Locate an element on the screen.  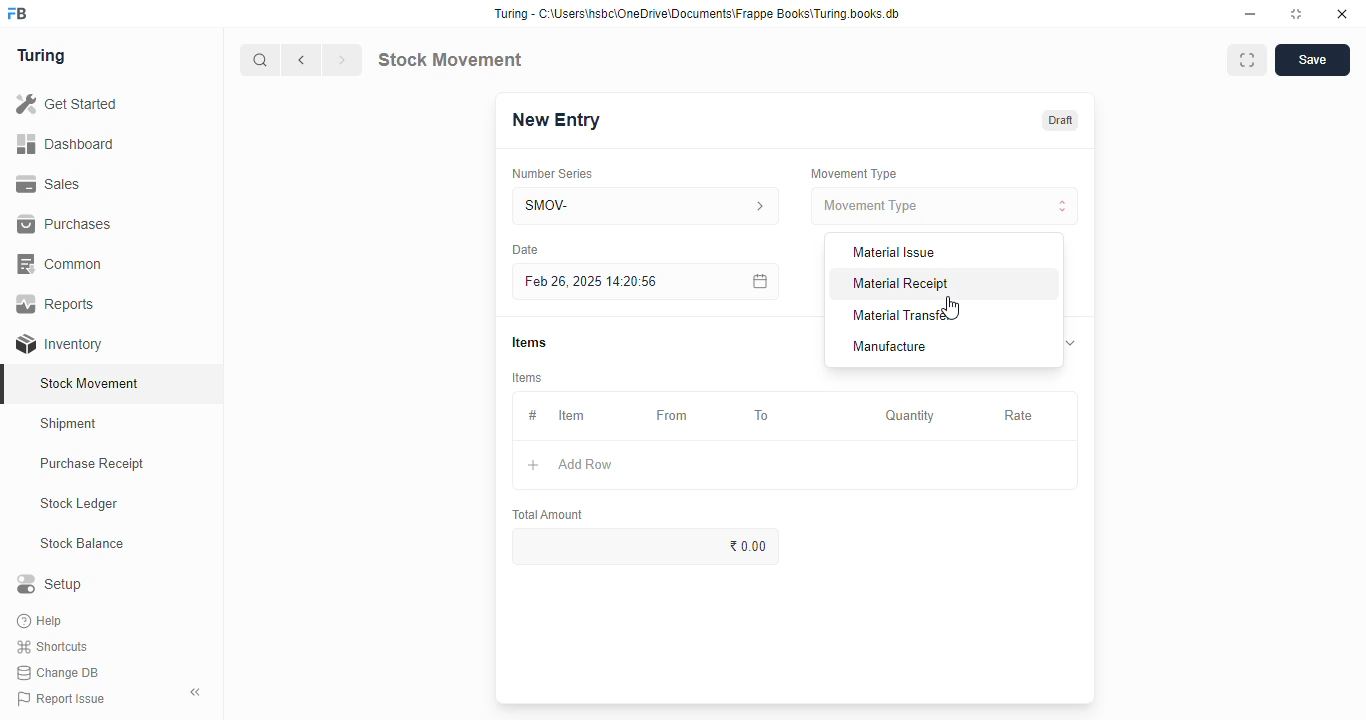
close is located at coordinates (1342, 14).